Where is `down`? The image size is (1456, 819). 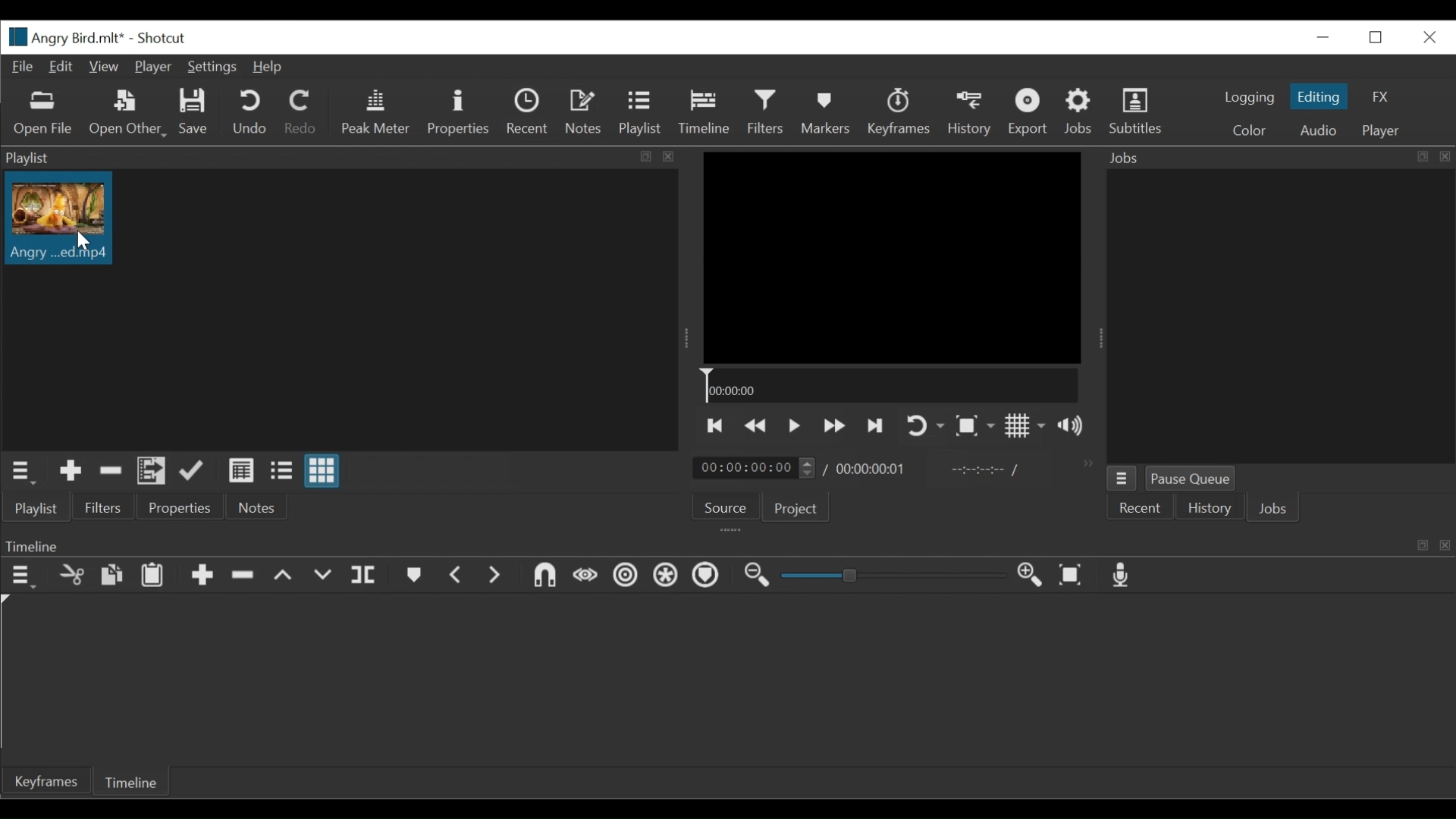 down is located at coordinates (328, 576).